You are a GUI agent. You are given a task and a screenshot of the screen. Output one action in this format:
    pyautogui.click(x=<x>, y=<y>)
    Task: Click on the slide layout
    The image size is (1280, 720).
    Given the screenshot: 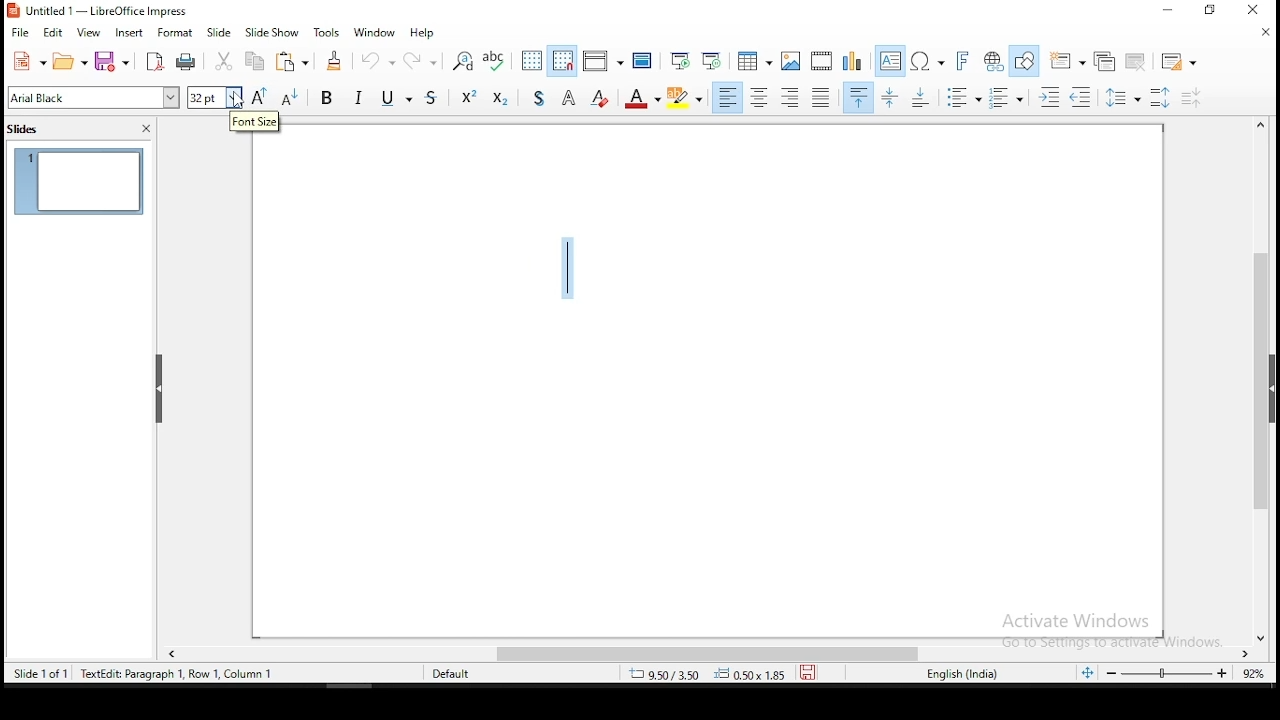 What is the action you would take?
    pyautogui.click(x=1181, y=62)
    